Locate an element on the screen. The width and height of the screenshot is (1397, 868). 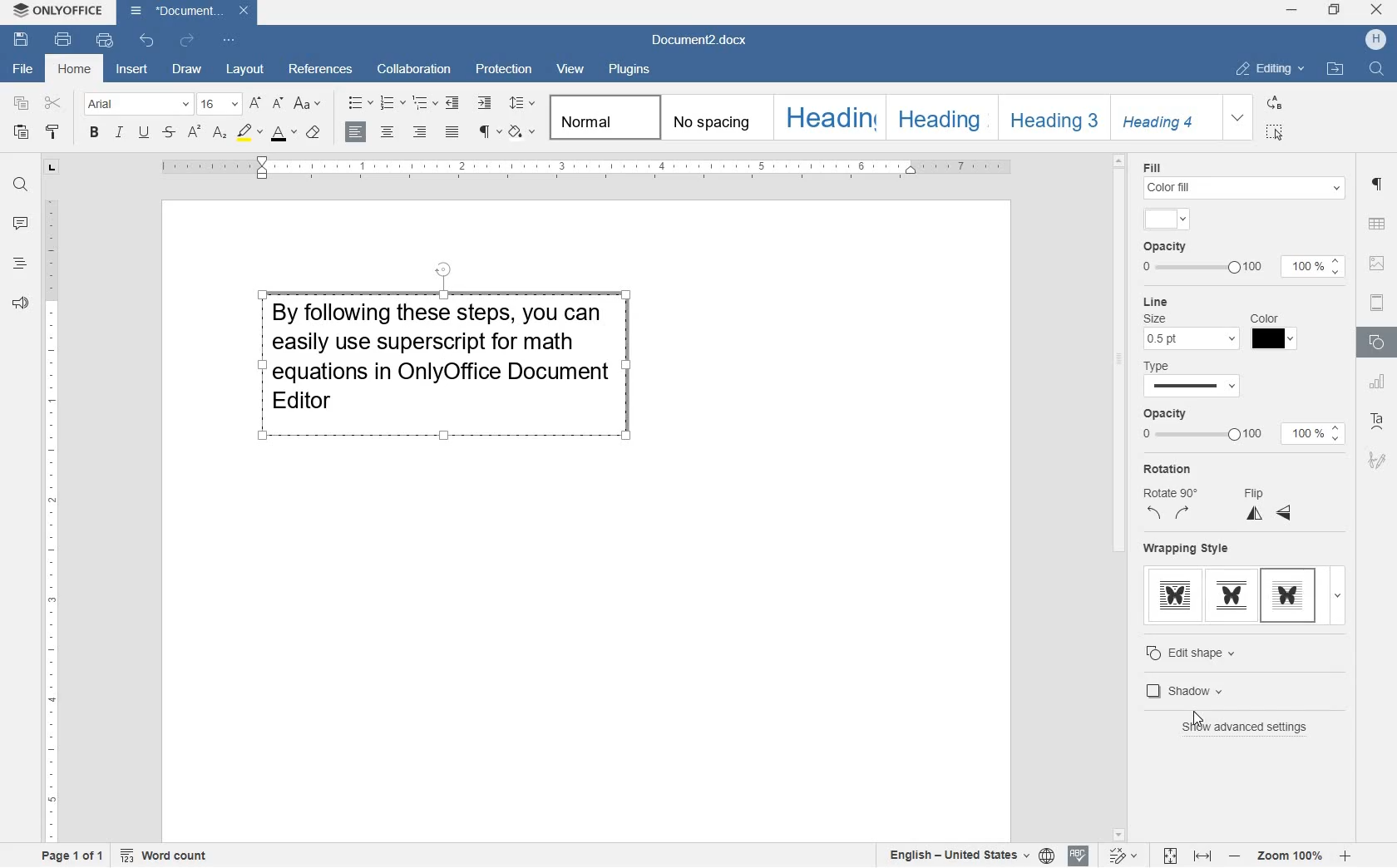
fit to page or width is located at coordinates (1187, 854).